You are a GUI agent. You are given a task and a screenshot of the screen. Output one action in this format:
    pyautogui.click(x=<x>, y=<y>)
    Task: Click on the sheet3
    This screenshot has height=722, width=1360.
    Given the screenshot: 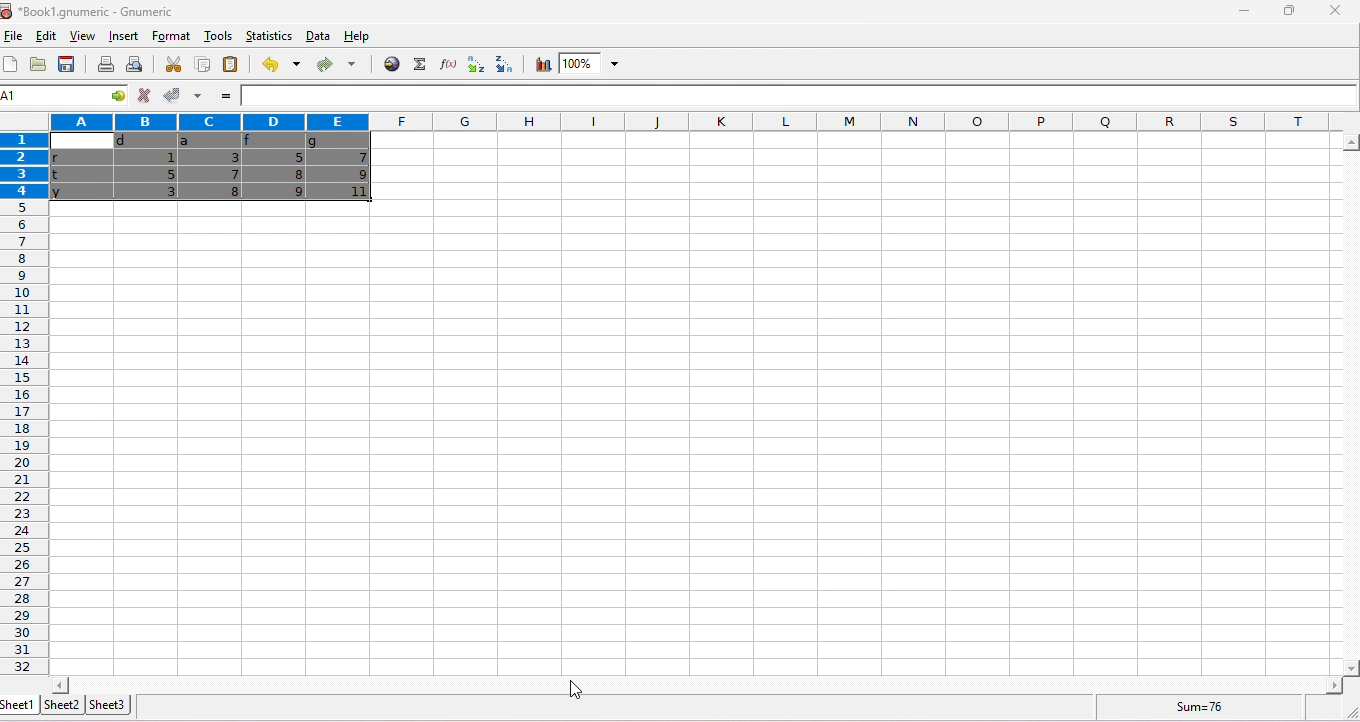 What is the action you would take?
    pyautogui.click(x=107, y=704)
    